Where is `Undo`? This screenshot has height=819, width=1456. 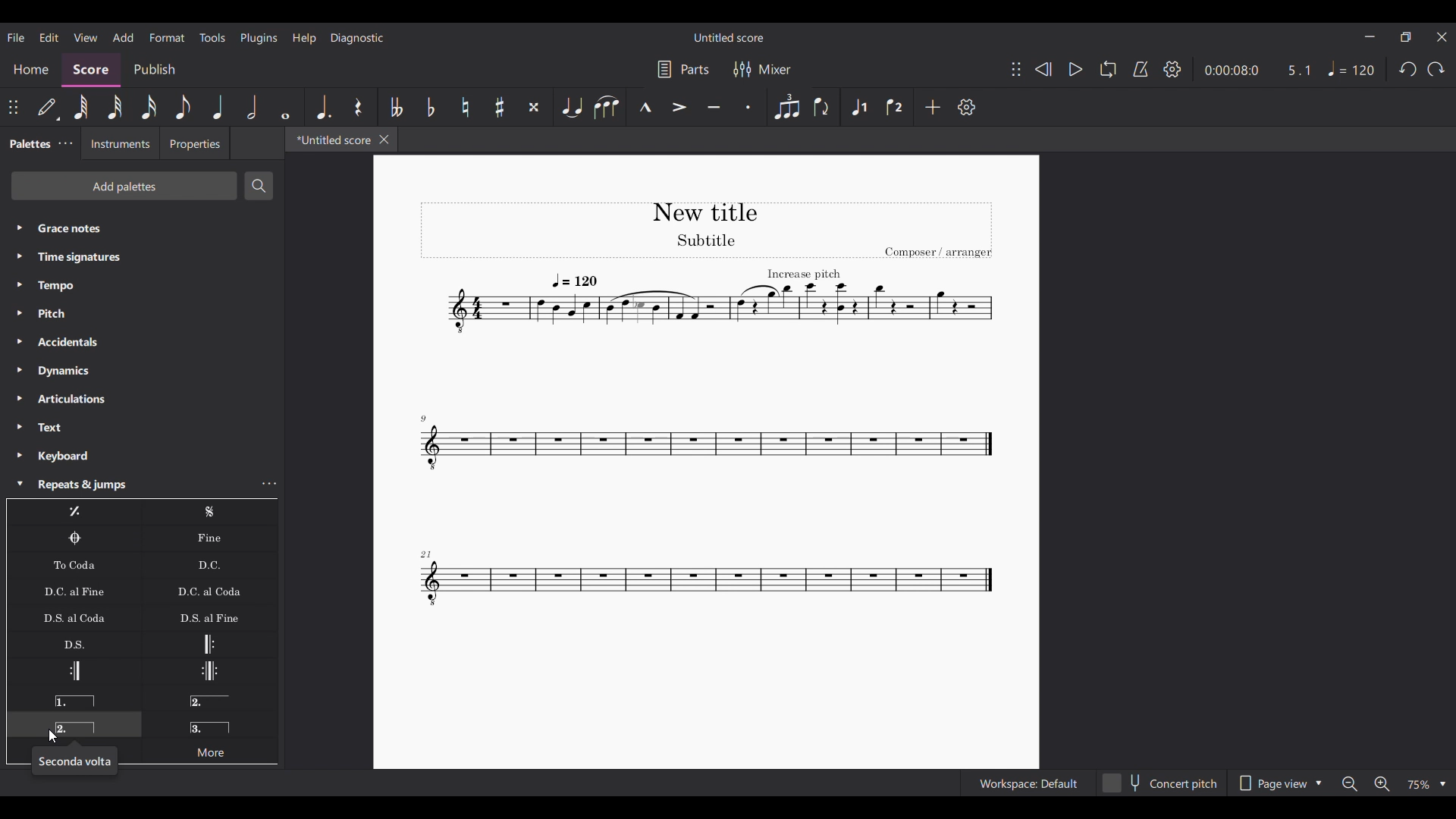 Undo is located at coordinates (1409, 69).